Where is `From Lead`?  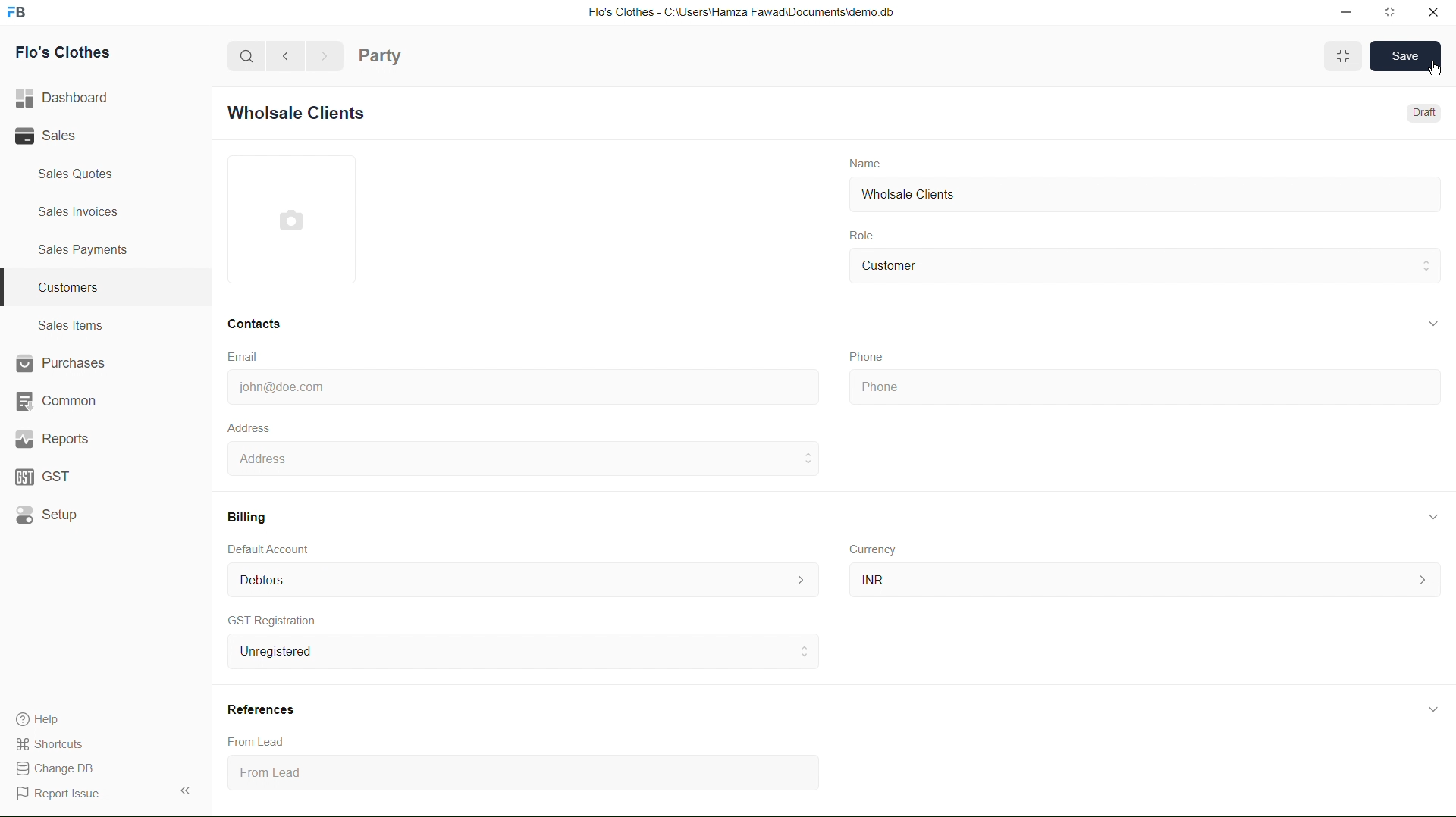
From Lead is located at coordinates (261, 740).